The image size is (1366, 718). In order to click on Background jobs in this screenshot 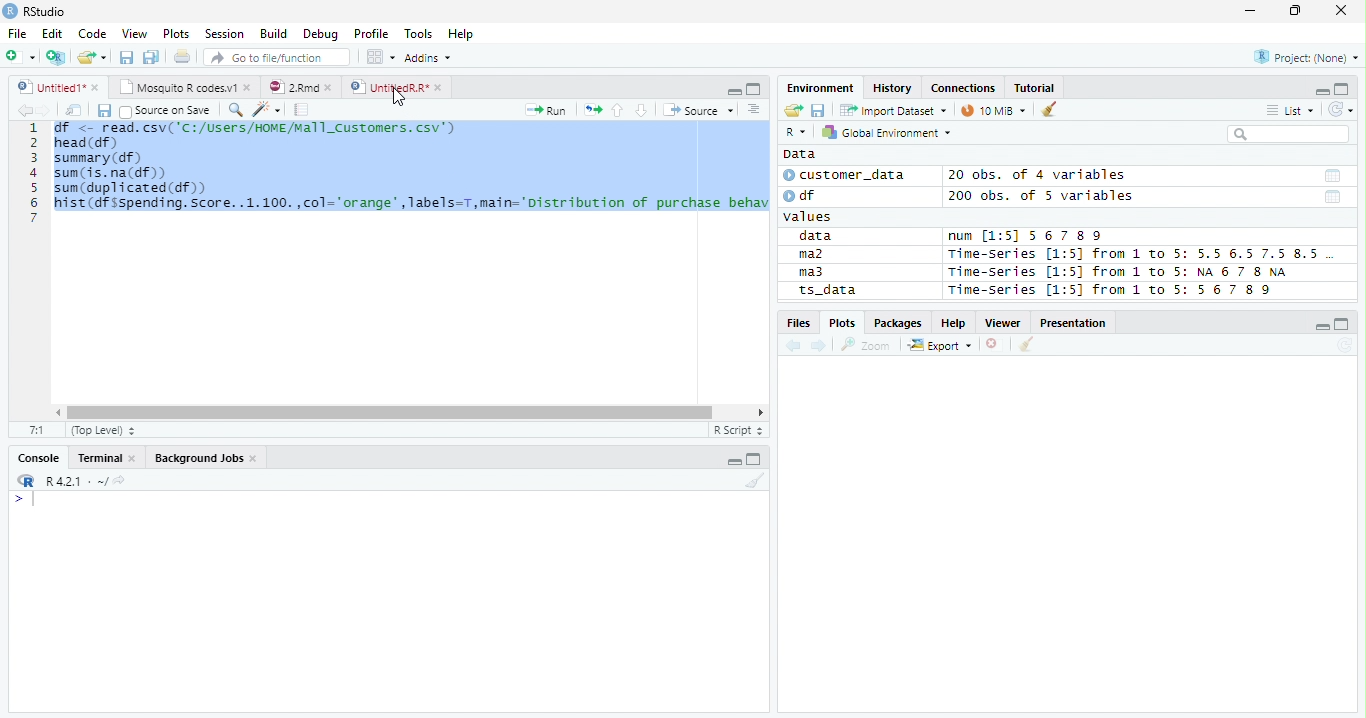, I will do `click(206, 460)`.